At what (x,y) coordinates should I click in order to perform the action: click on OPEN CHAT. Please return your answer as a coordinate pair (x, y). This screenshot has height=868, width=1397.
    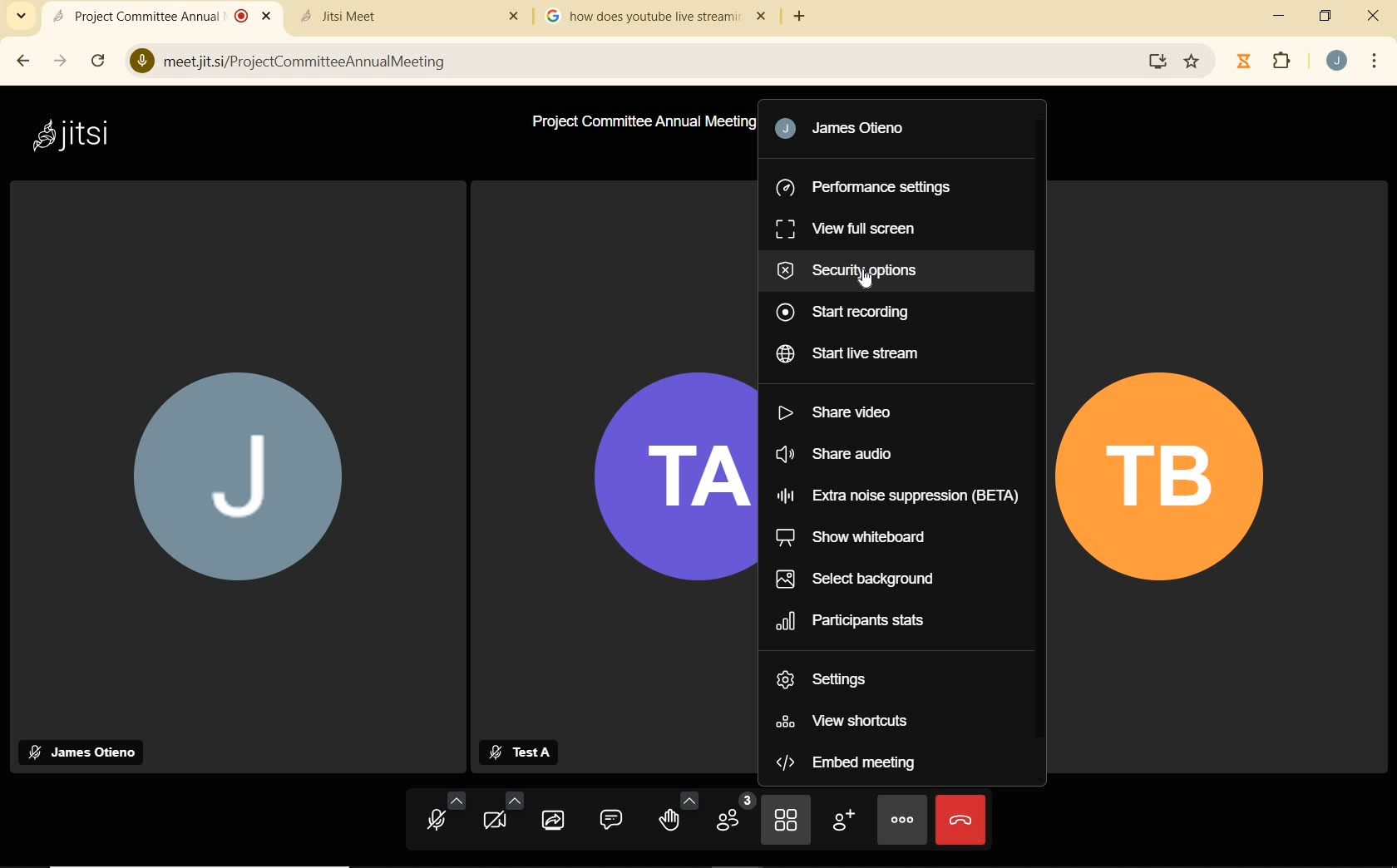
    Looking at the image, I should click on (613, 819).